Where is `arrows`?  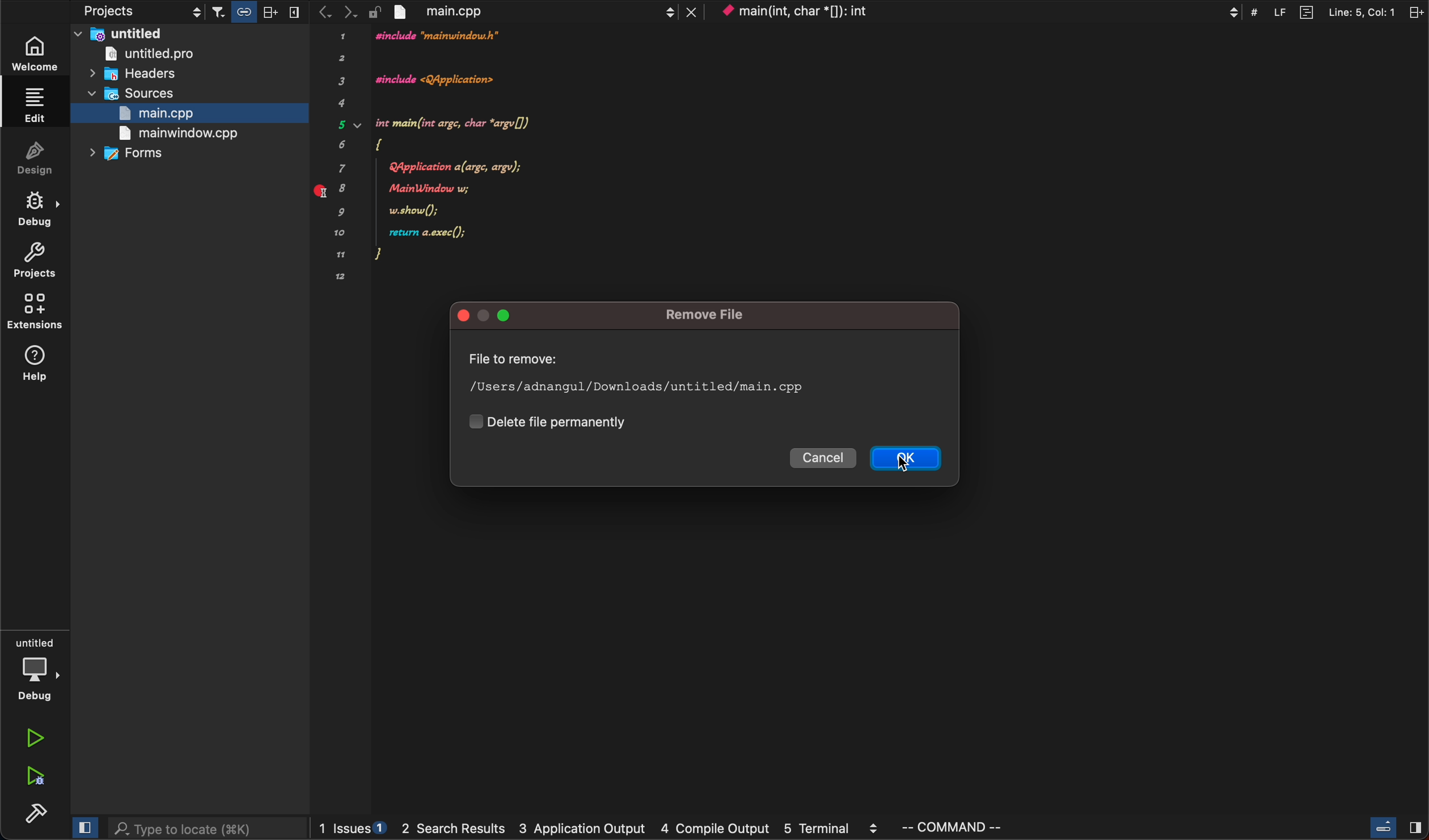 arrows is located at coordinates (332, 12).